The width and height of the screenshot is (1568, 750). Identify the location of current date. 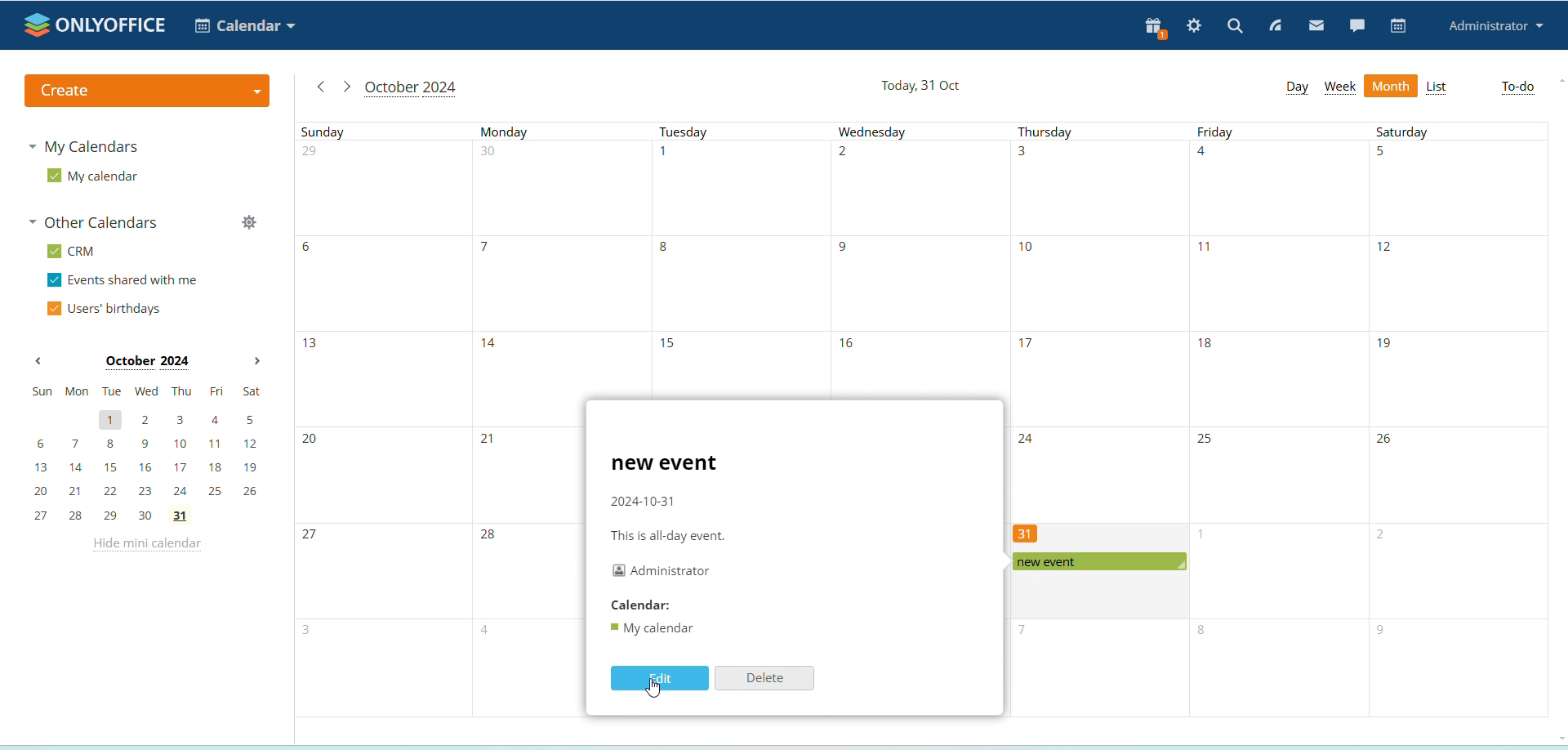
(923, 87).